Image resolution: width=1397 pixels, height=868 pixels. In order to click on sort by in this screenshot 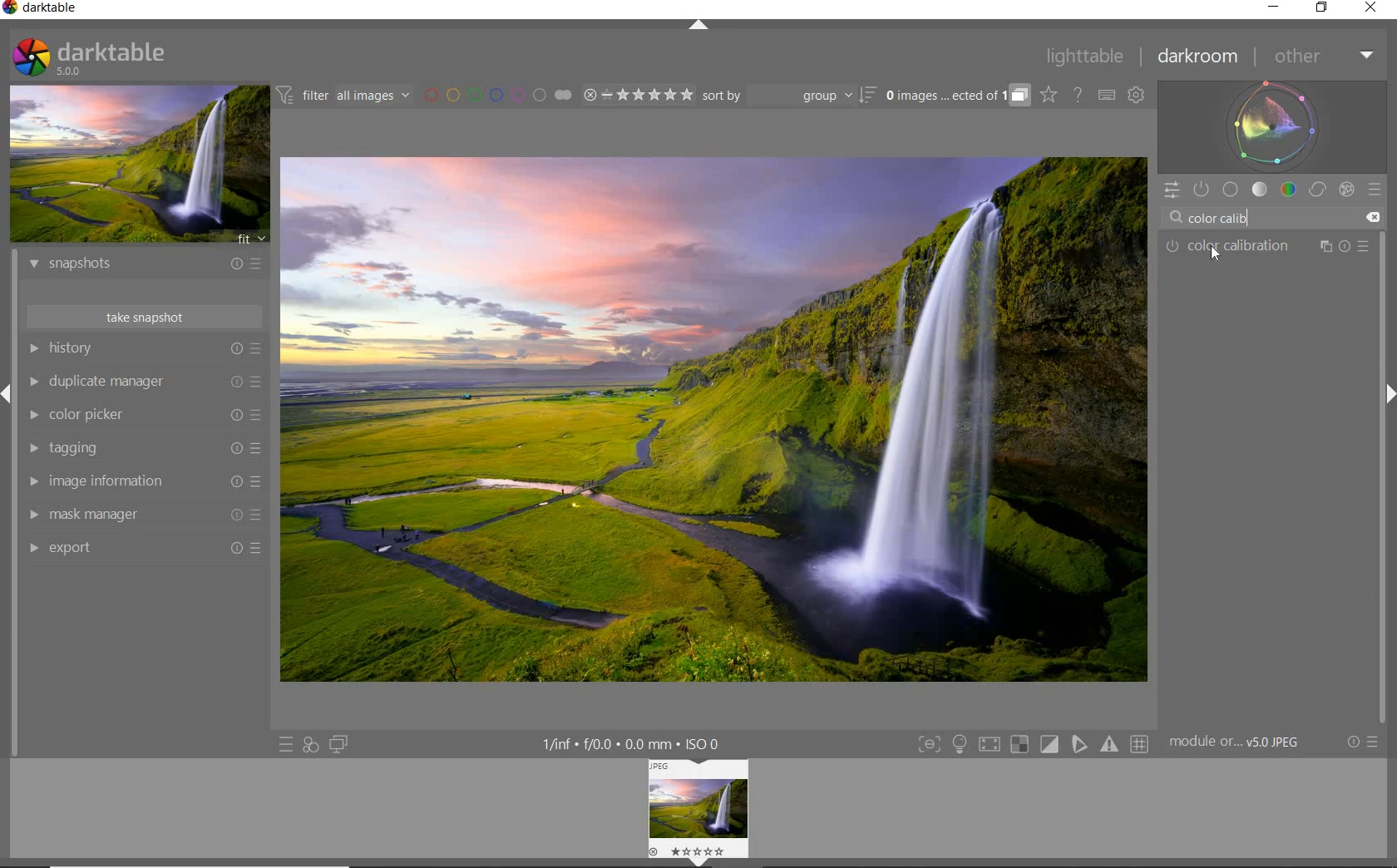, I will do `click(789, 95)`.